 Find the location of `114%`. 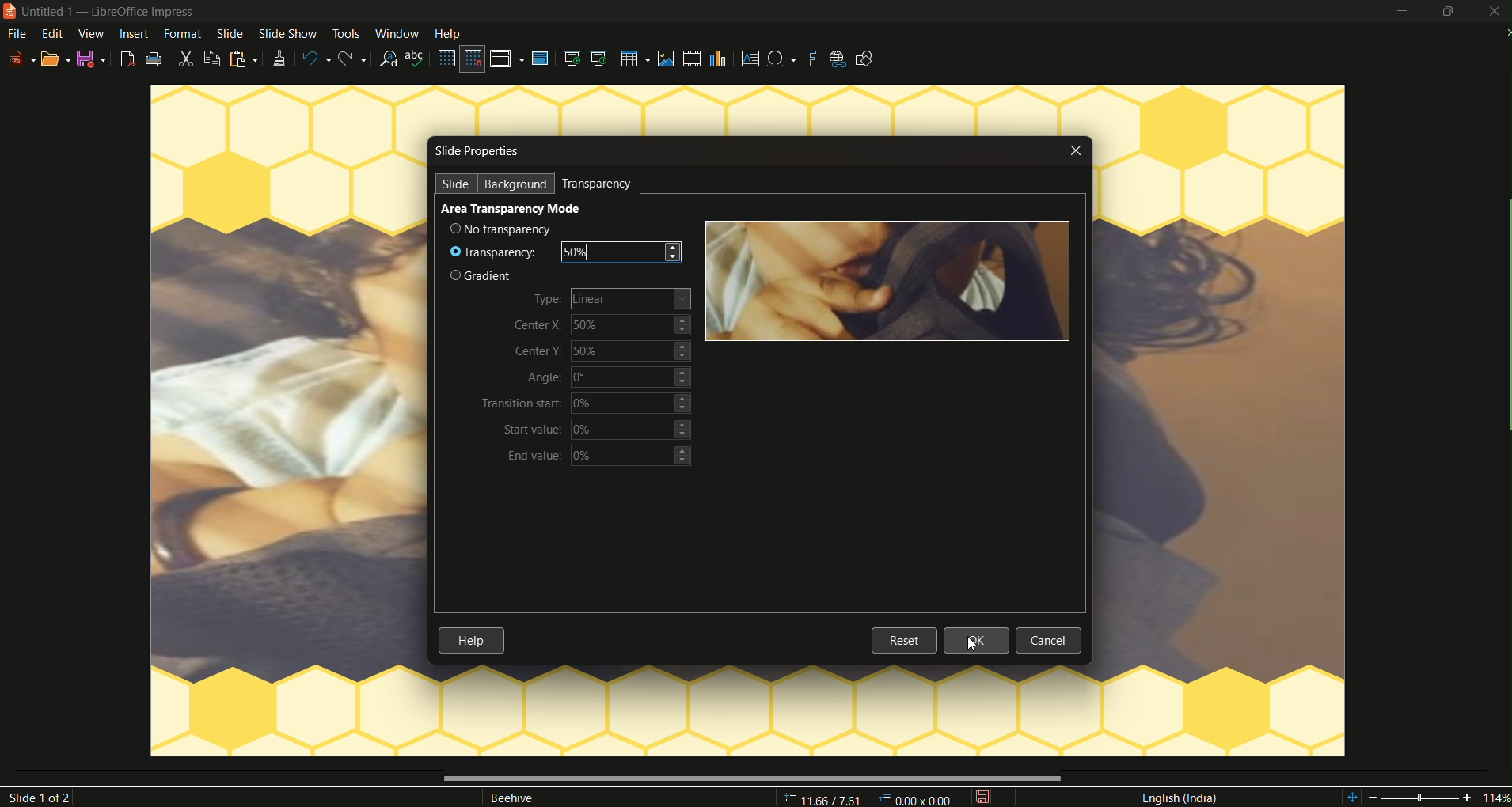

114% is located at coordinates (1426, 795).